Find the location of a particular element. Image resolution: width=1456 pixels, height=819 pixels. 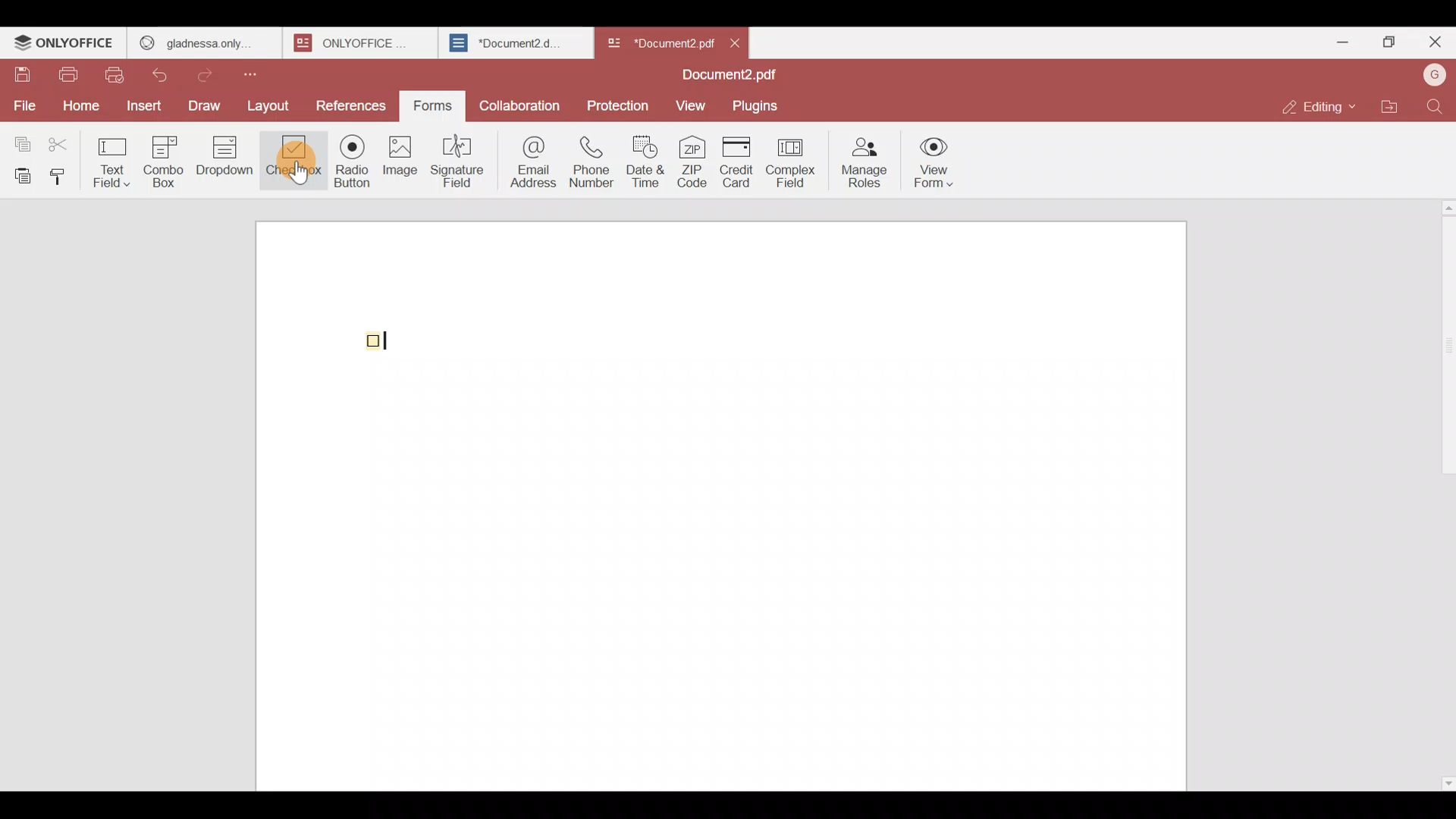

Plugins is located at coordinates (761, 106).